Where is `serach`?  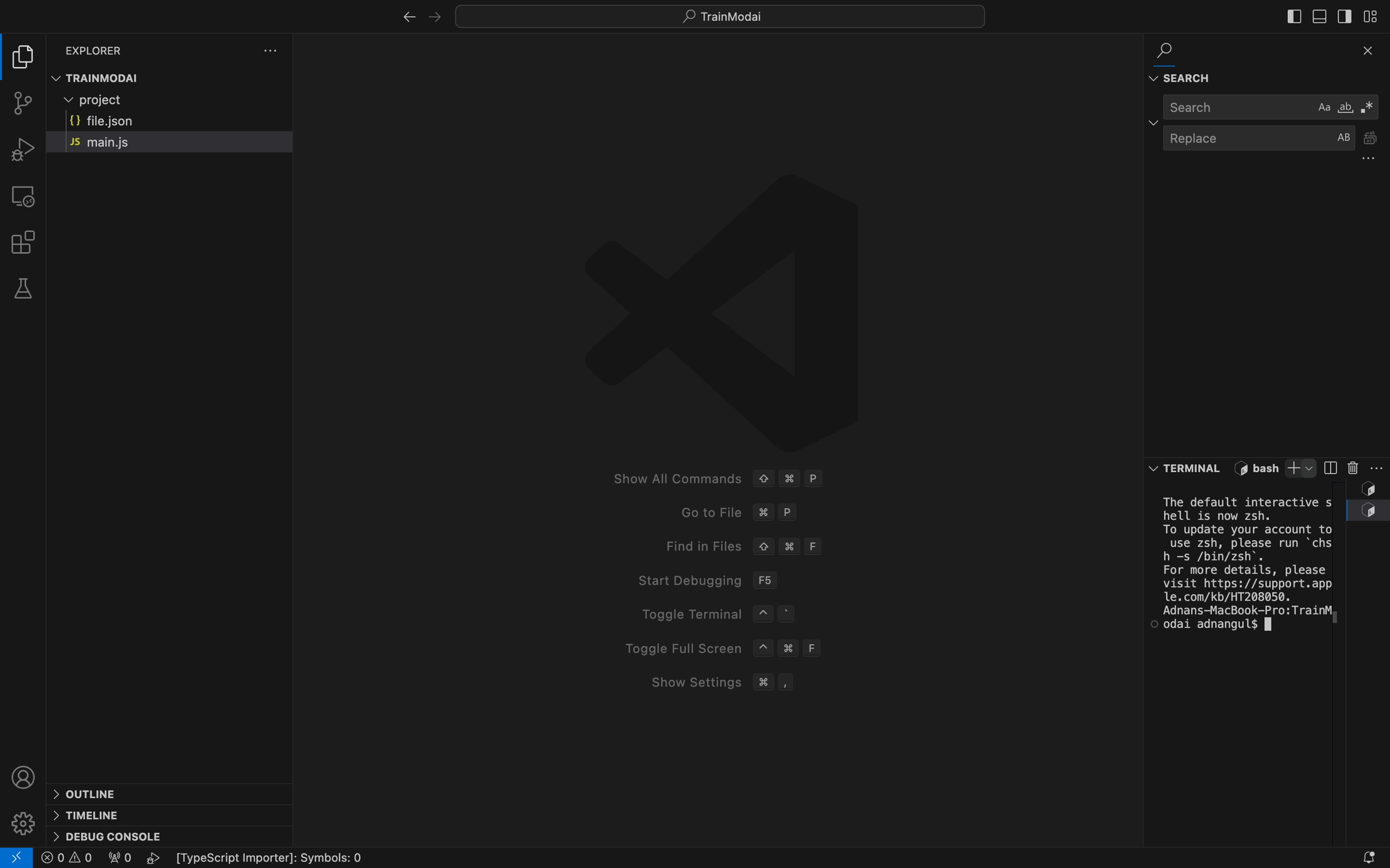 serach is located at coordinates (1269, 111).